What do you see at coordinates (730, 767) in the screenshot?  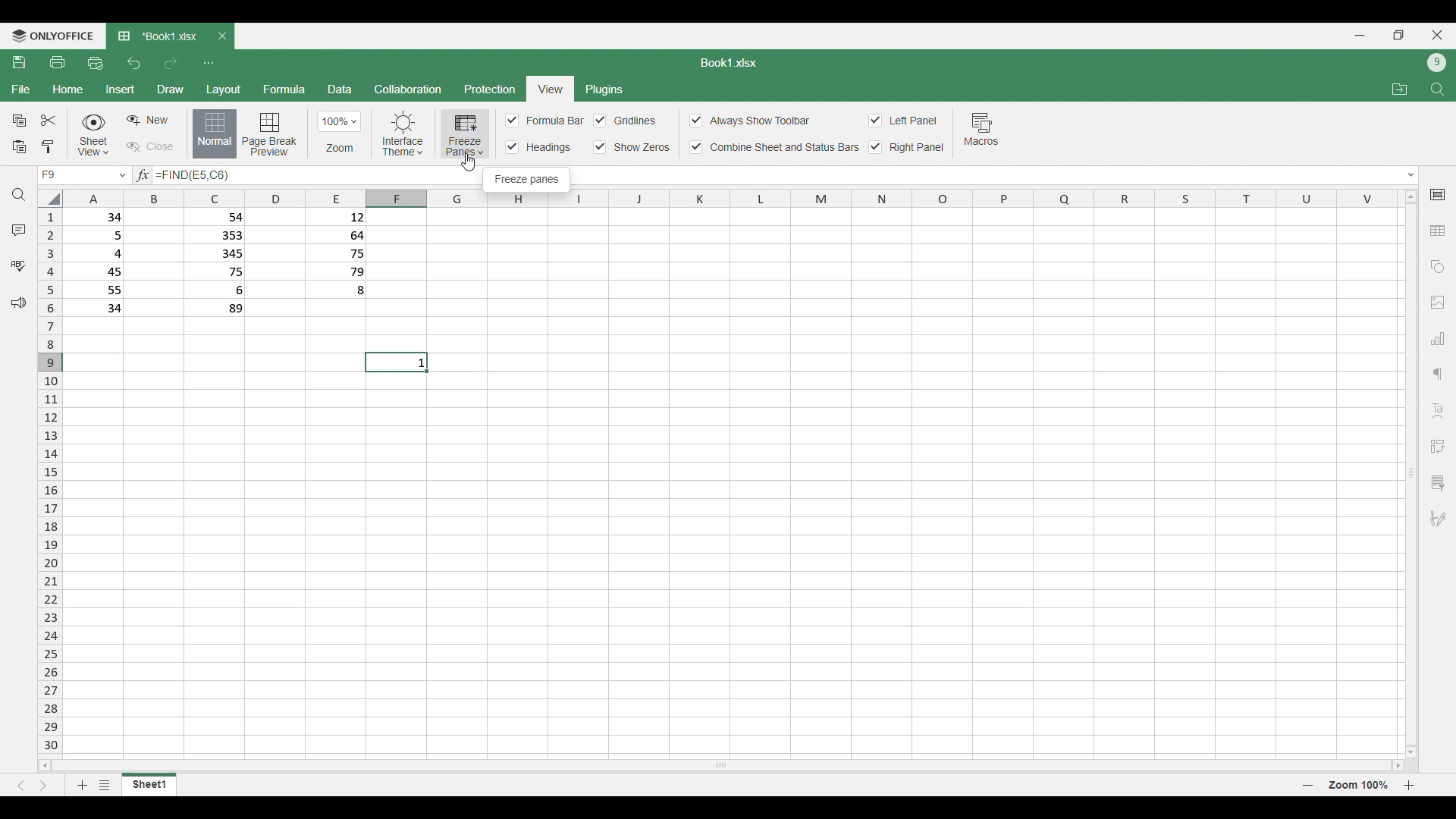 I see `Horizontal slide bar` at bounding box center [730, 767].